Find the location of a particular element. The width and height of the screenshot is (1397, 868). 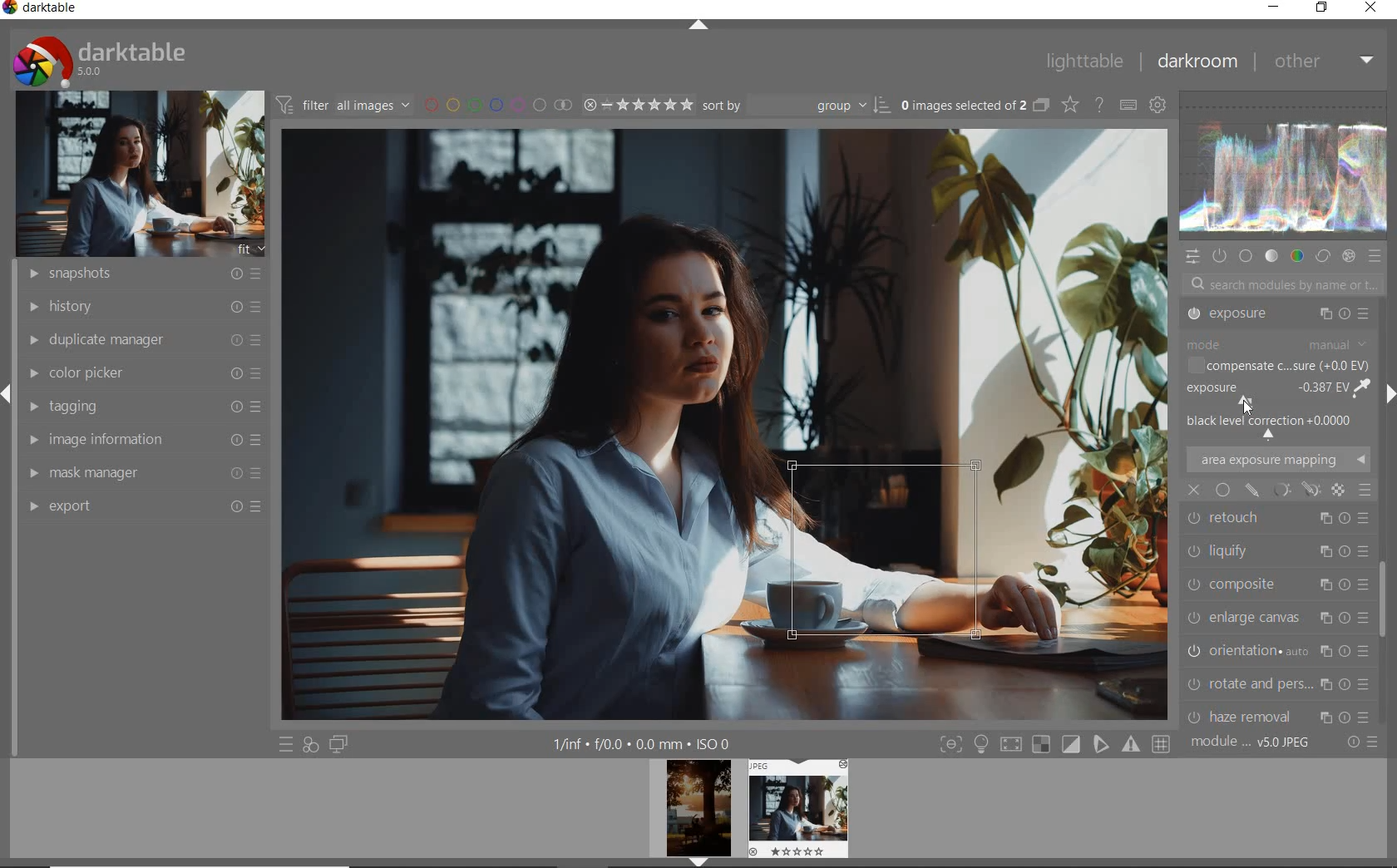

TAGGING is located at coordinates (141, 405).